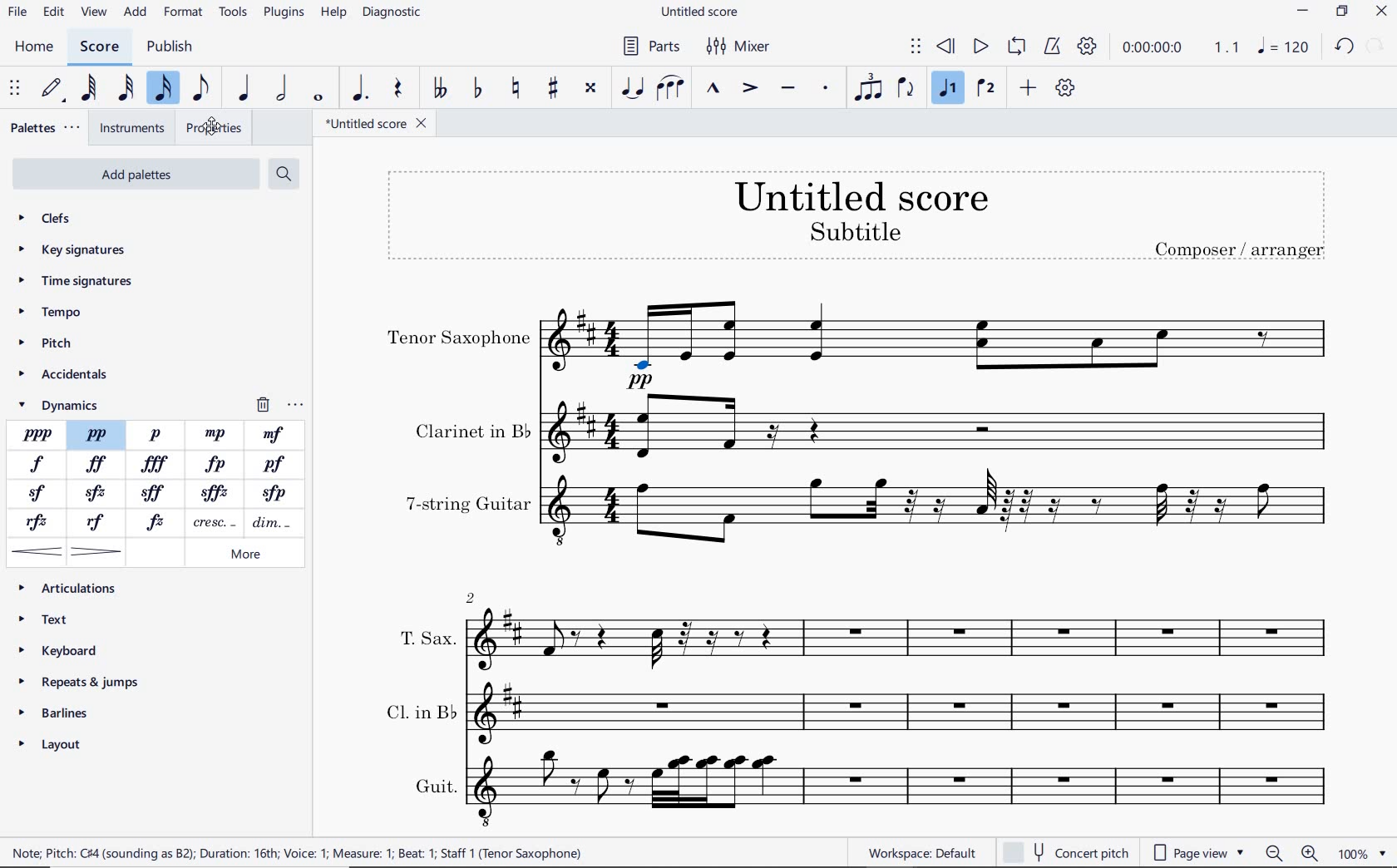  I want to click on FFF(FORTISSISSIMO), so click(157, 465).